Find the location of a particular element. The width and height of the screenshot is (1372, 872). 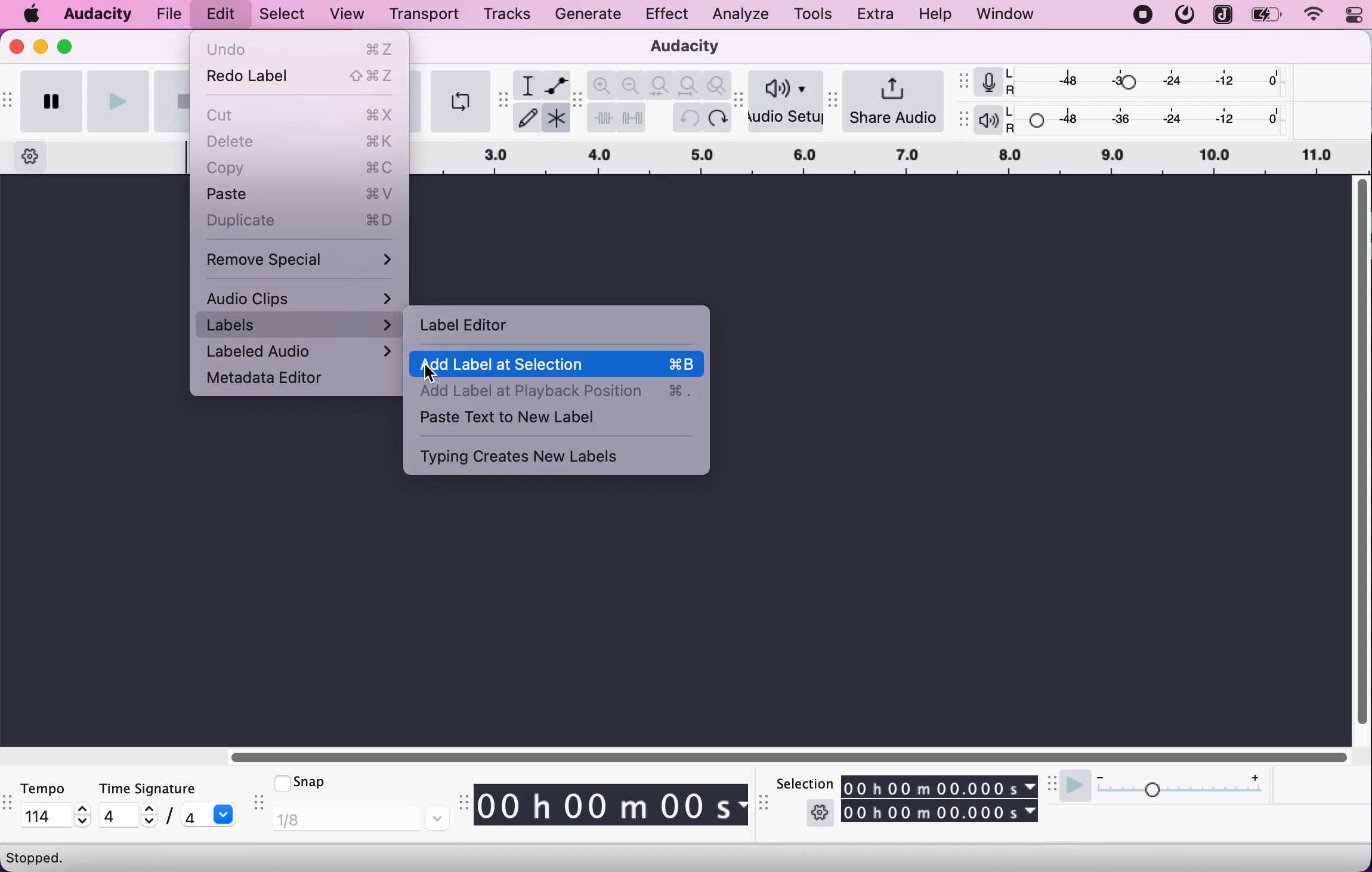

labels is located at coordinates (300, 326).